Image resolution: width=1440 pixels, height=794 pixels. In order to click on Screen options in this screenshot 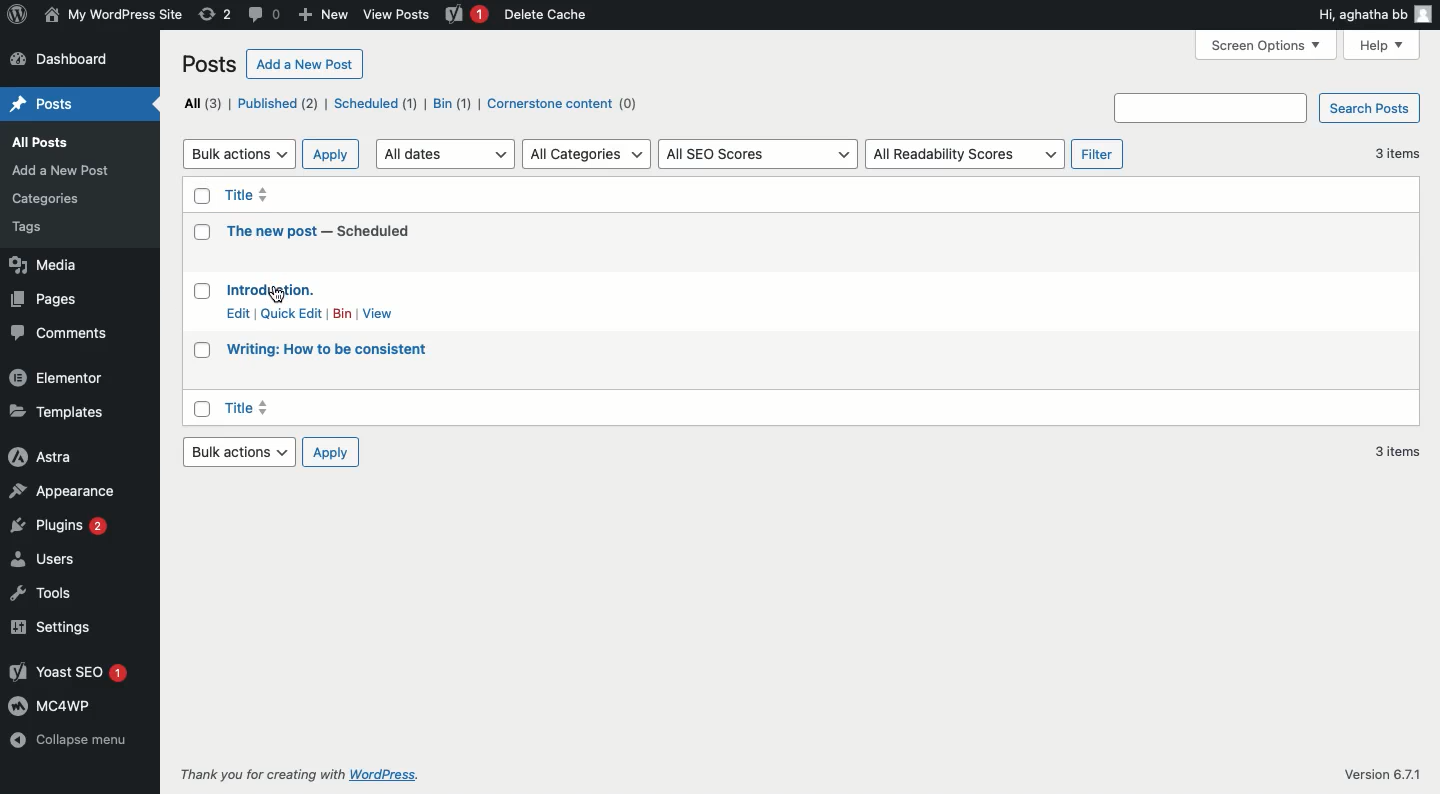, I will do `click(1265, 46)`.